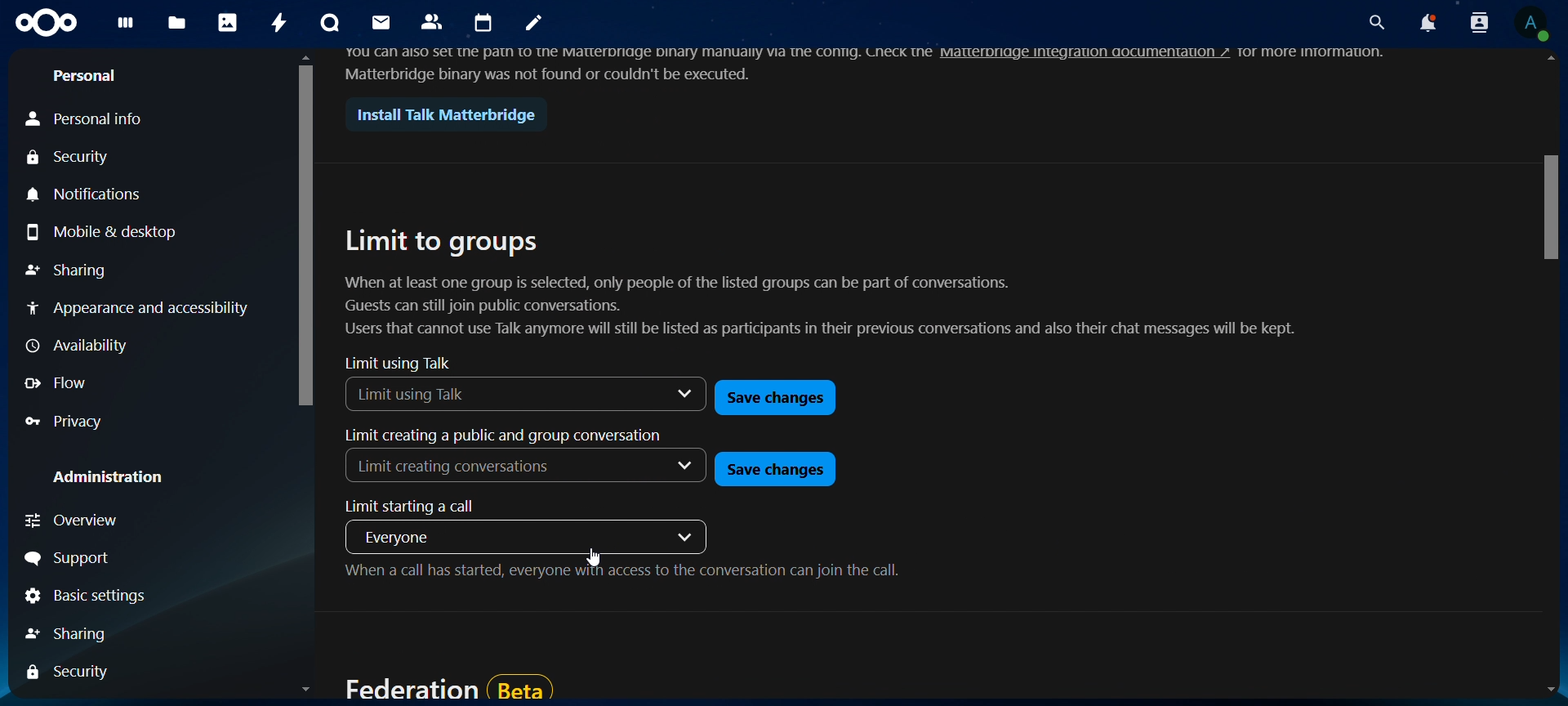  What do you see at coordinates (106, 235) in the screenshot?
I see `Mobile & Desktop` at bounding box center [106, 235].